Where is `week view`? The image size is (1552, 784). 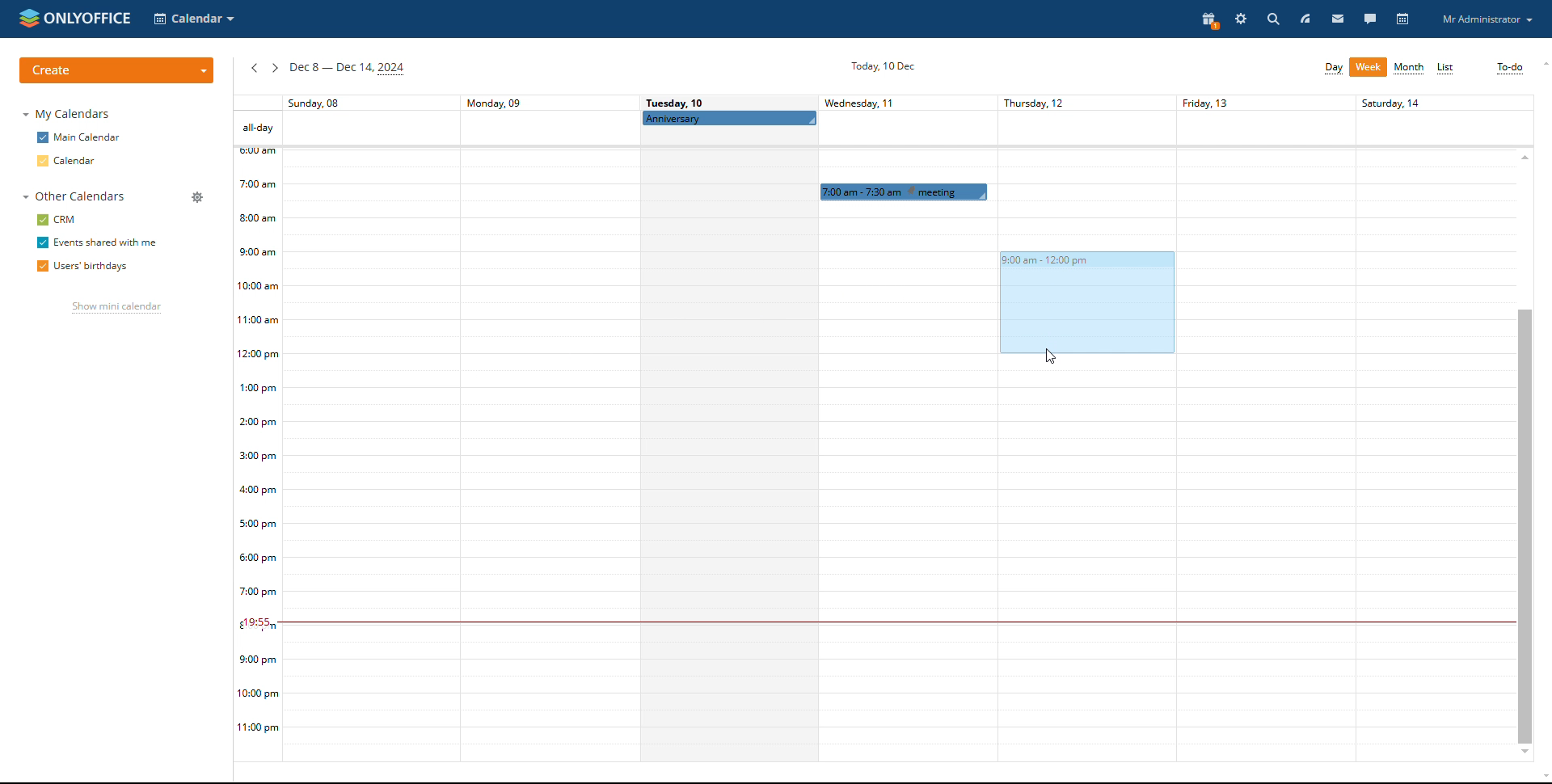 week view is located at coordinates (1369, 67).